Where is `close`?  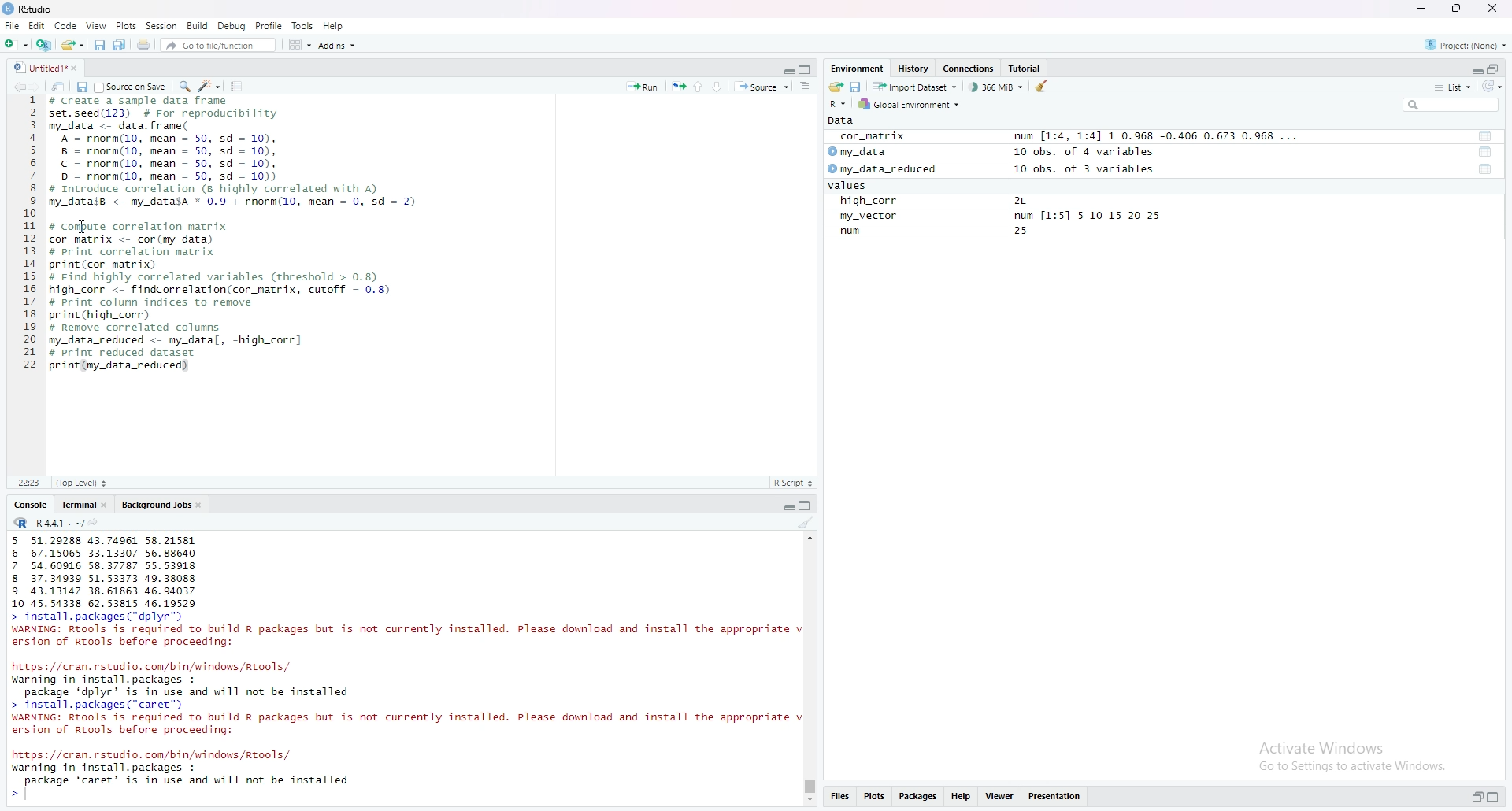
close is located at coordinates (201, 505).